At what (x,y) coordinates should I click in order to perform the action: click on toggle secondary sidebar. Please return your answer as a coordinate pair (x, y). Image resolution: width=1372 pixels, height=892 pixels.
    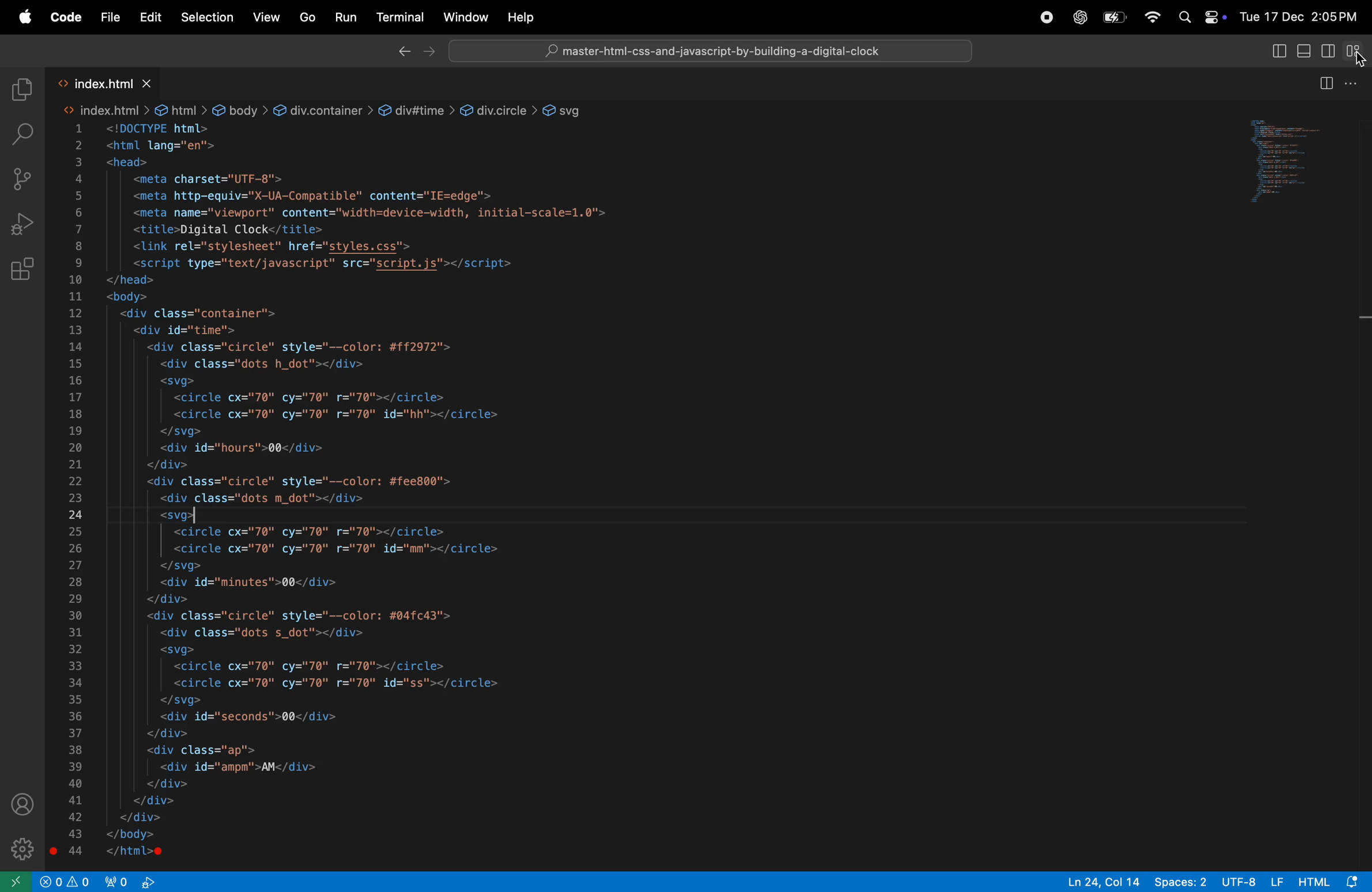
    Looking at the image, I should click on (1329, 50).